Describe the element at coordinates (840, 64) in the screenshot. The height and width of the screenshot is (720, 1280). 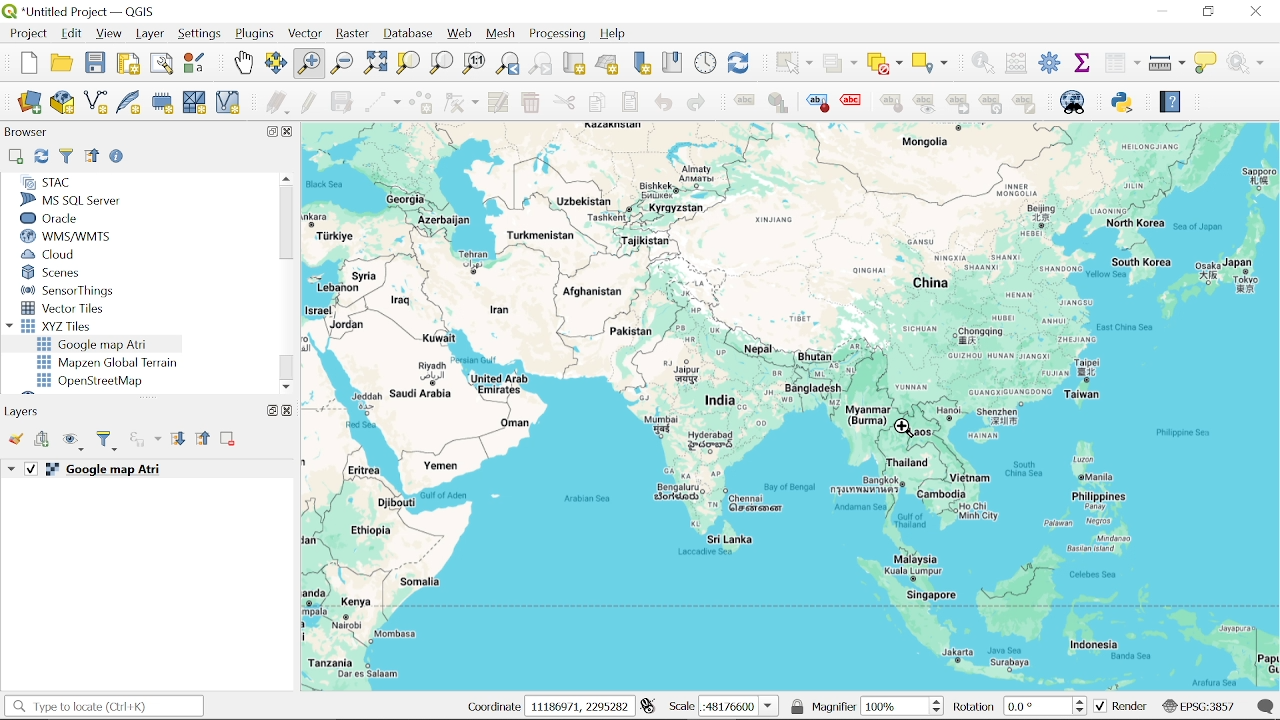
I see `Select features by value` at that location.